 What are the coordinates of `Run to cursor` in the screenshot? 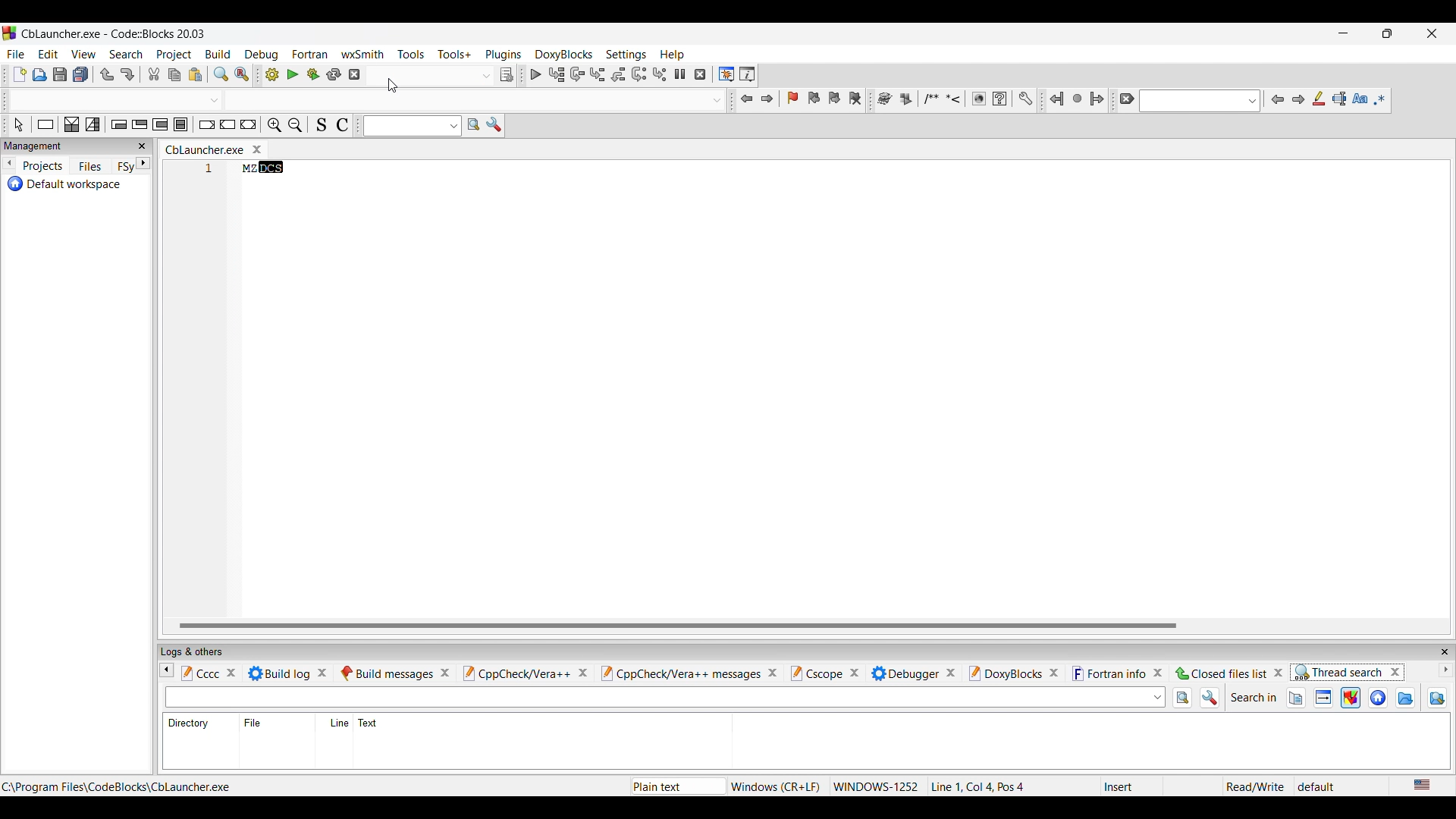 It's located at (557, 74).